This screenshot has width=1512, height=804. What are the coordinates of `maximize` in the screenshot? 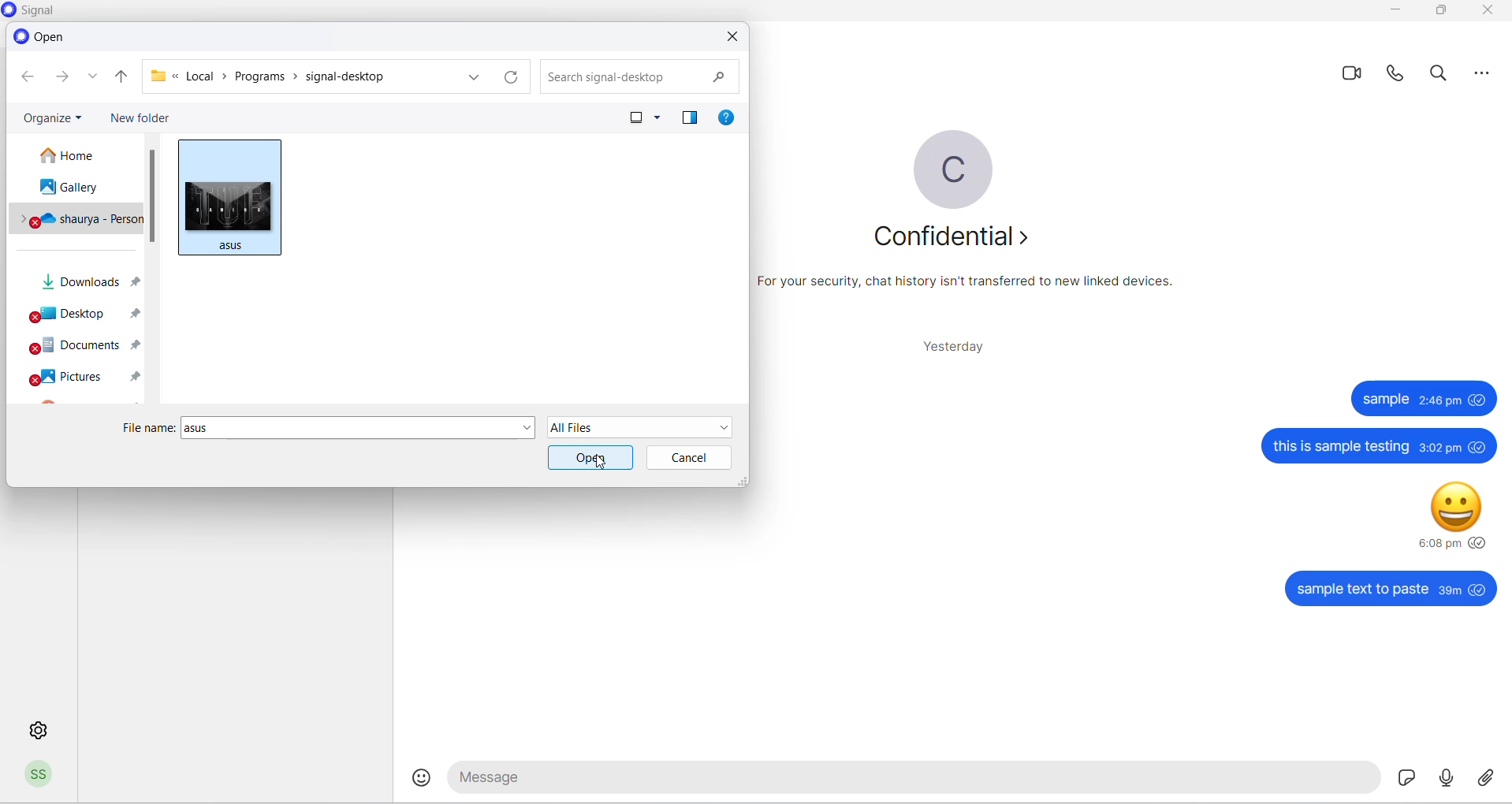 It's located at (1439, 15).